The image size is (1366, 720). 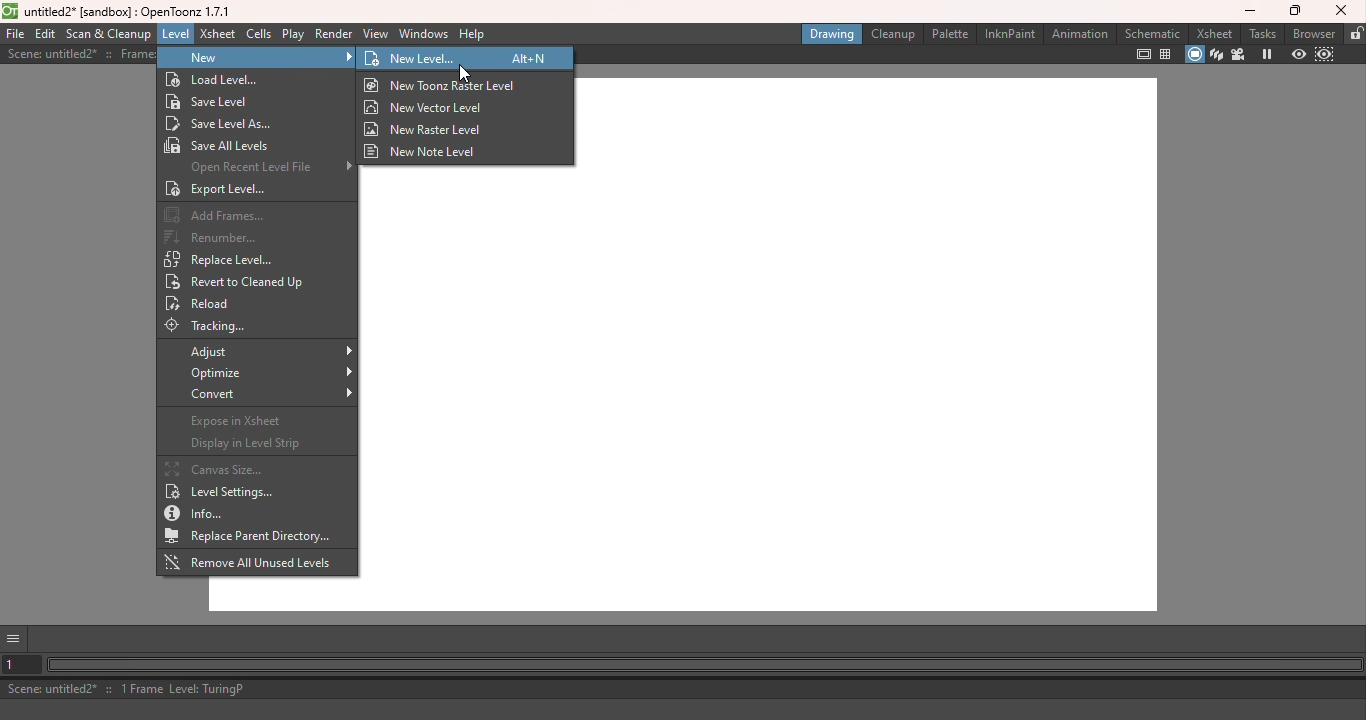 I want to click on Palette, so click(x=949, y=34).